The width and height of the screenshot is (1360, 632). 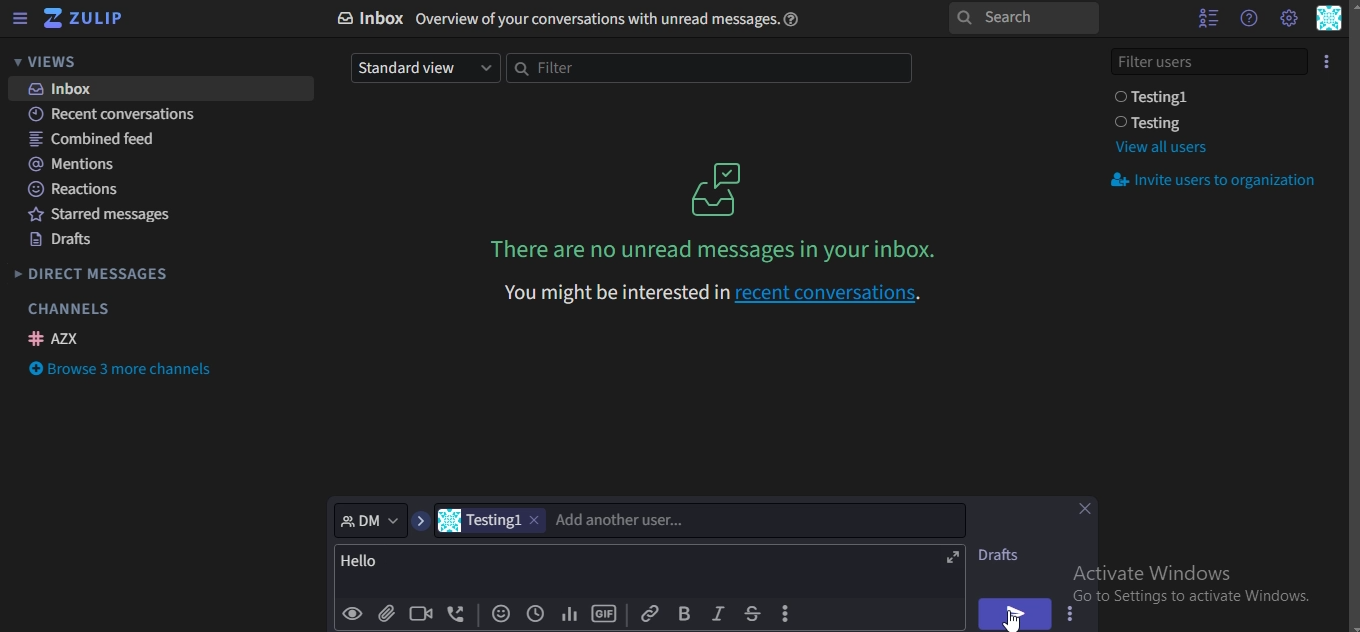 I want to click on upload files, so click(x=388, y=615).